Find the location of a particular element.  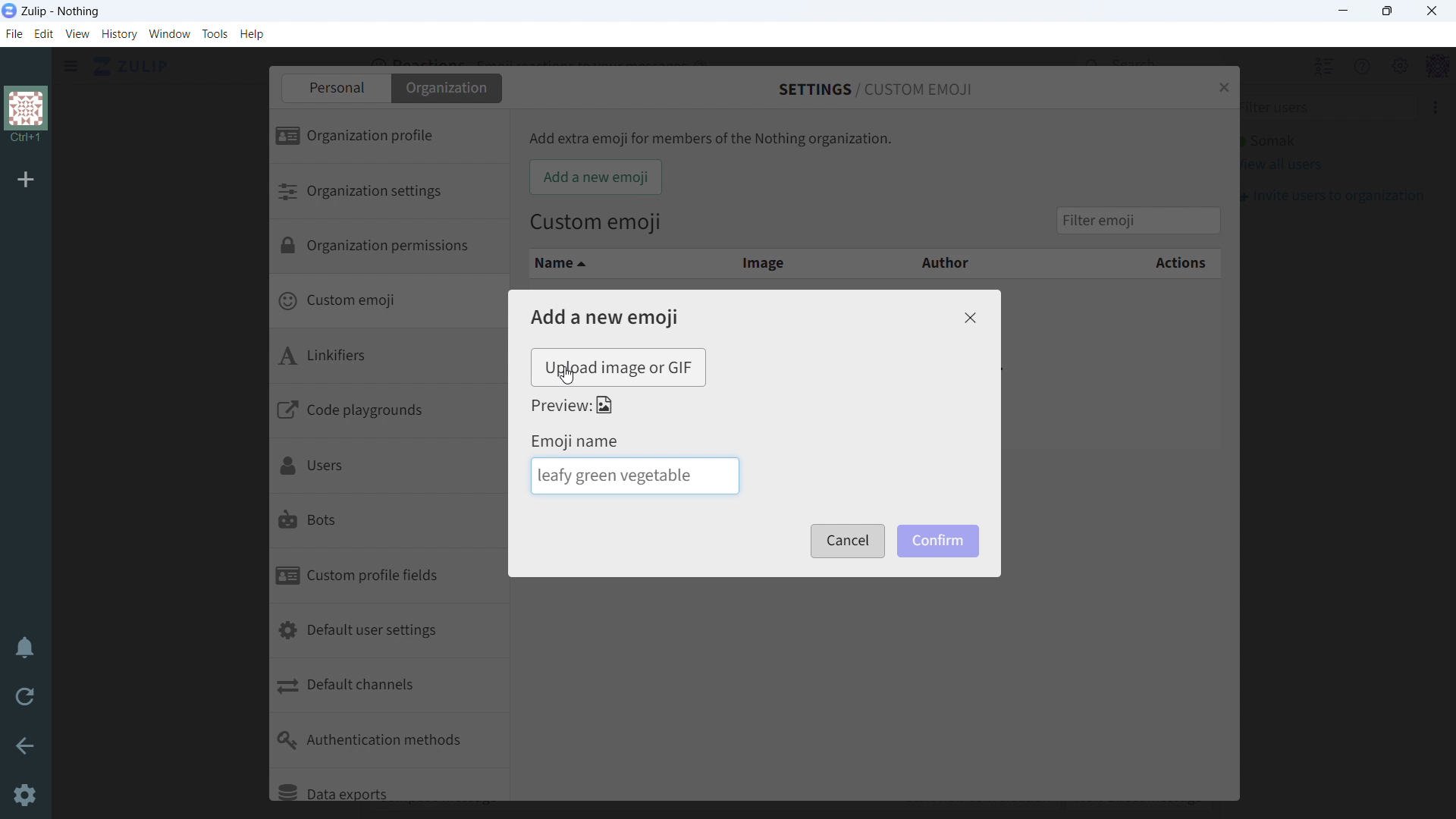

edit is located at coordinates (44, 35).